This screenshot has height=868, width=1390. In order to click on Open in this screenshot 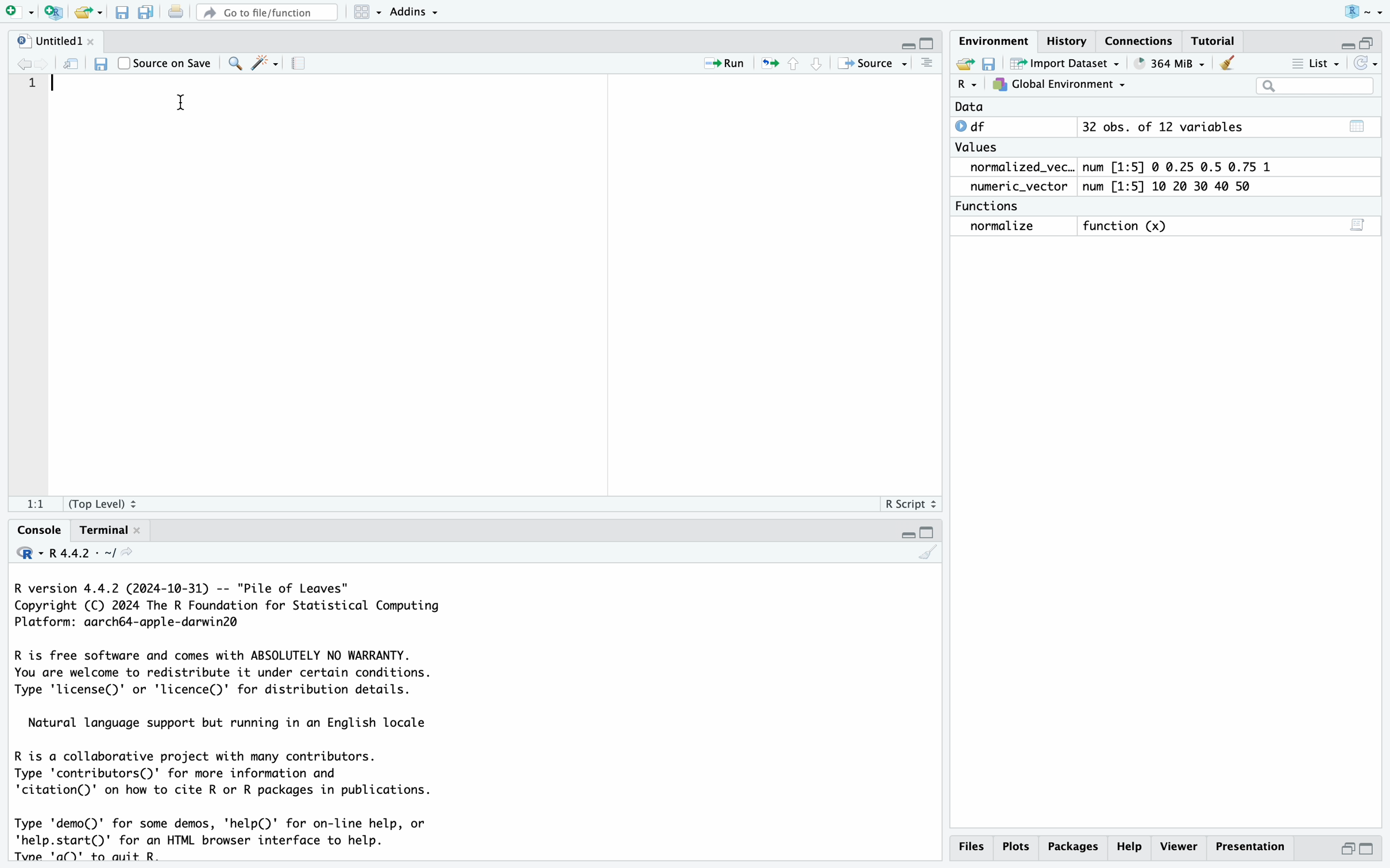, I will do `click(963, 63)`.